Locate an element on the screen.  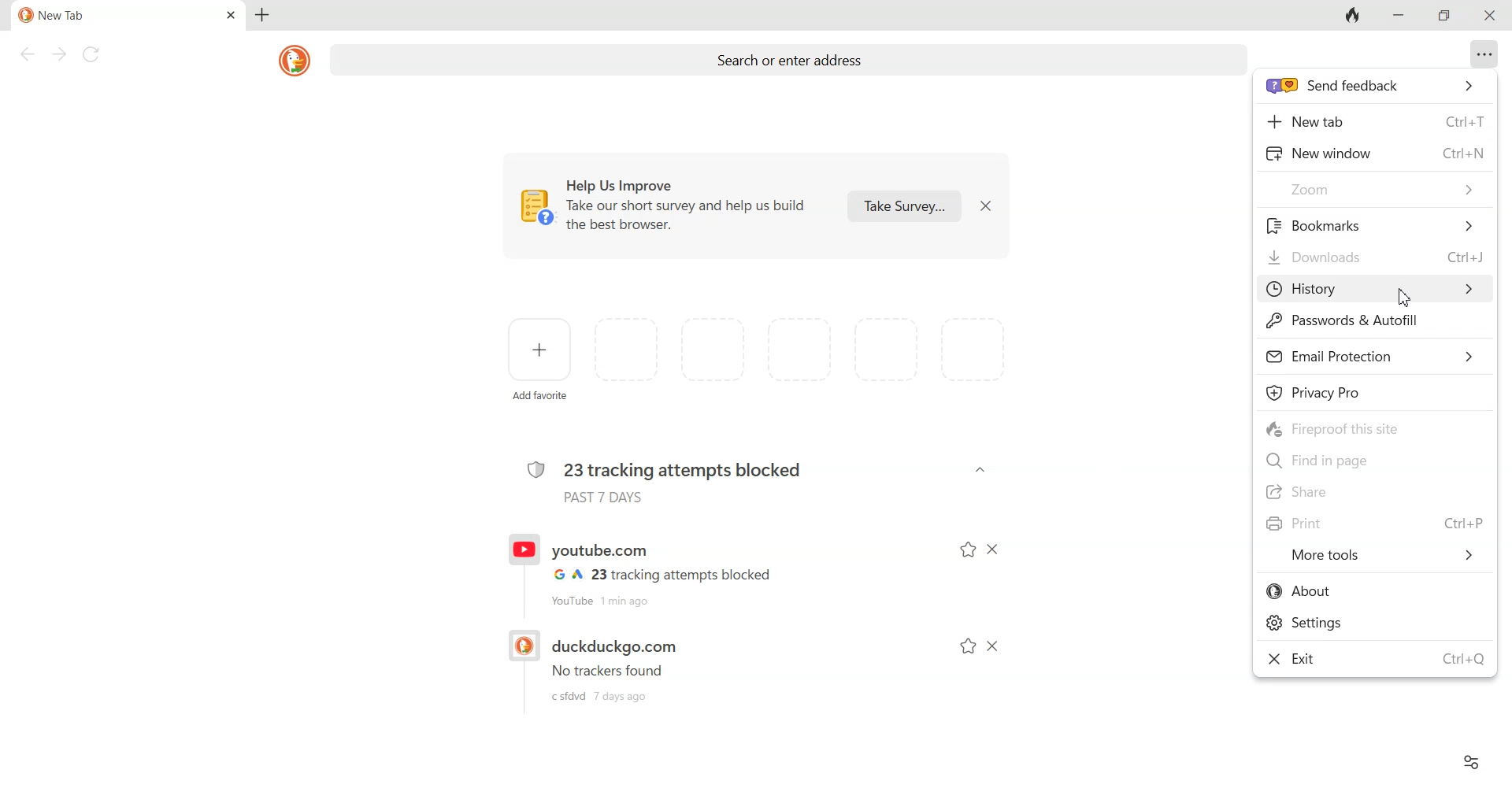
Privacy Pro is located at coordinates (1375, 391).